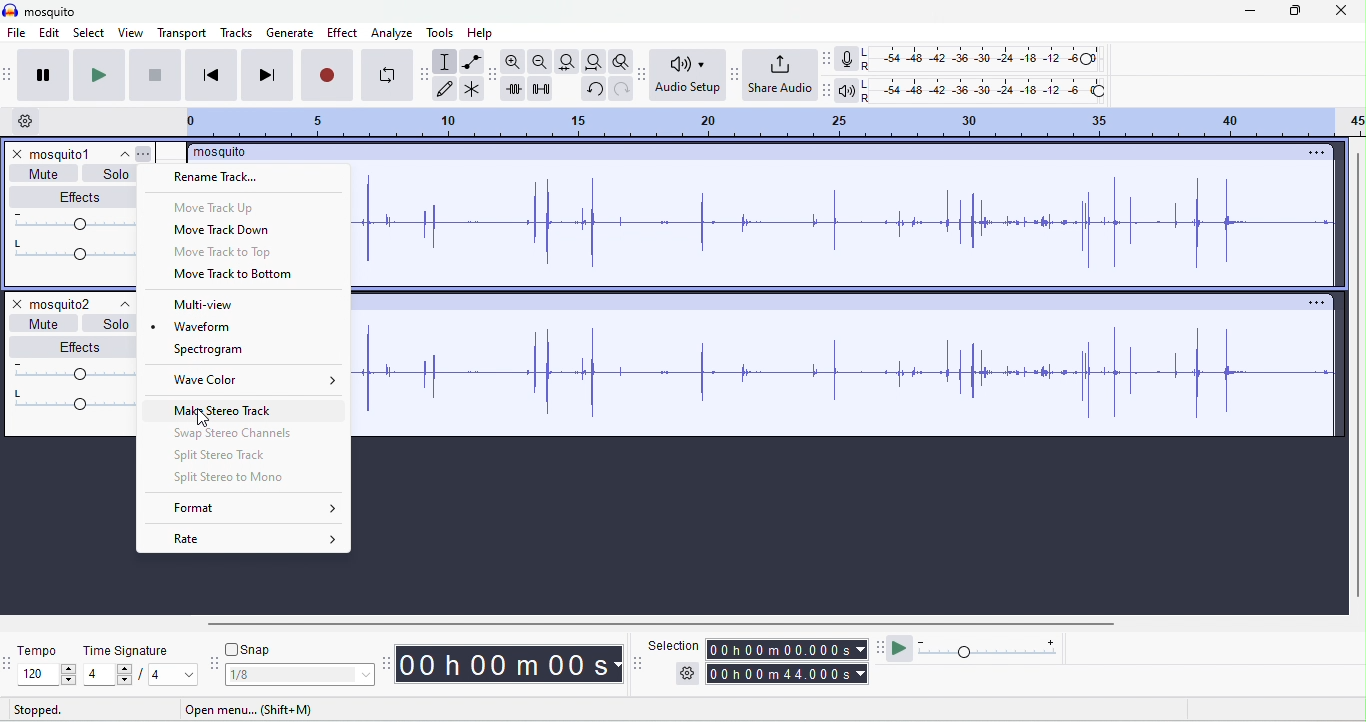 The width and height of the screenshot is (1366, 722). Describe the element at coordinates (993, 648) in the screenshot. I see `playback speed` at that location.